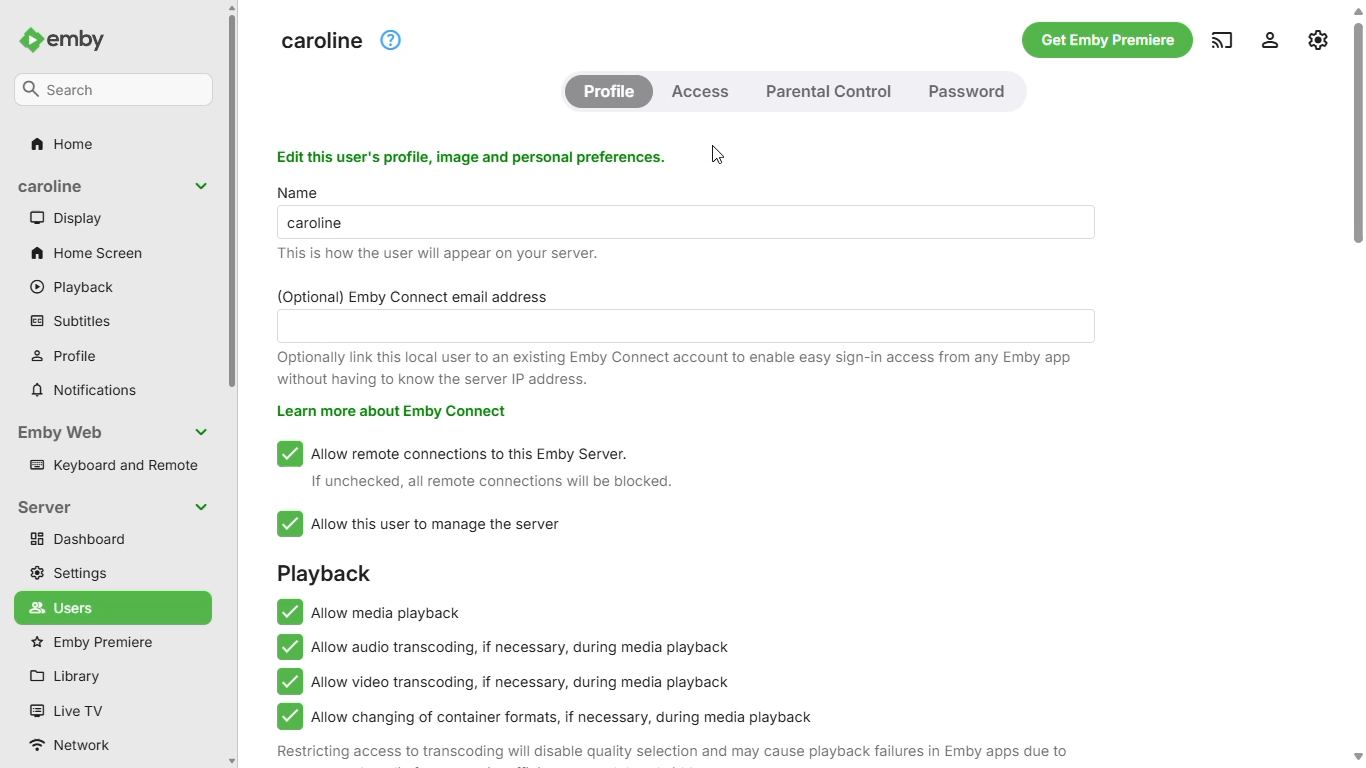 This screenshot has width=1366, height=768. What do you see at coordinates (438, 254) in the screenshot?
I see `this is how the user will appear on your server` at bounding box center [438, 254].